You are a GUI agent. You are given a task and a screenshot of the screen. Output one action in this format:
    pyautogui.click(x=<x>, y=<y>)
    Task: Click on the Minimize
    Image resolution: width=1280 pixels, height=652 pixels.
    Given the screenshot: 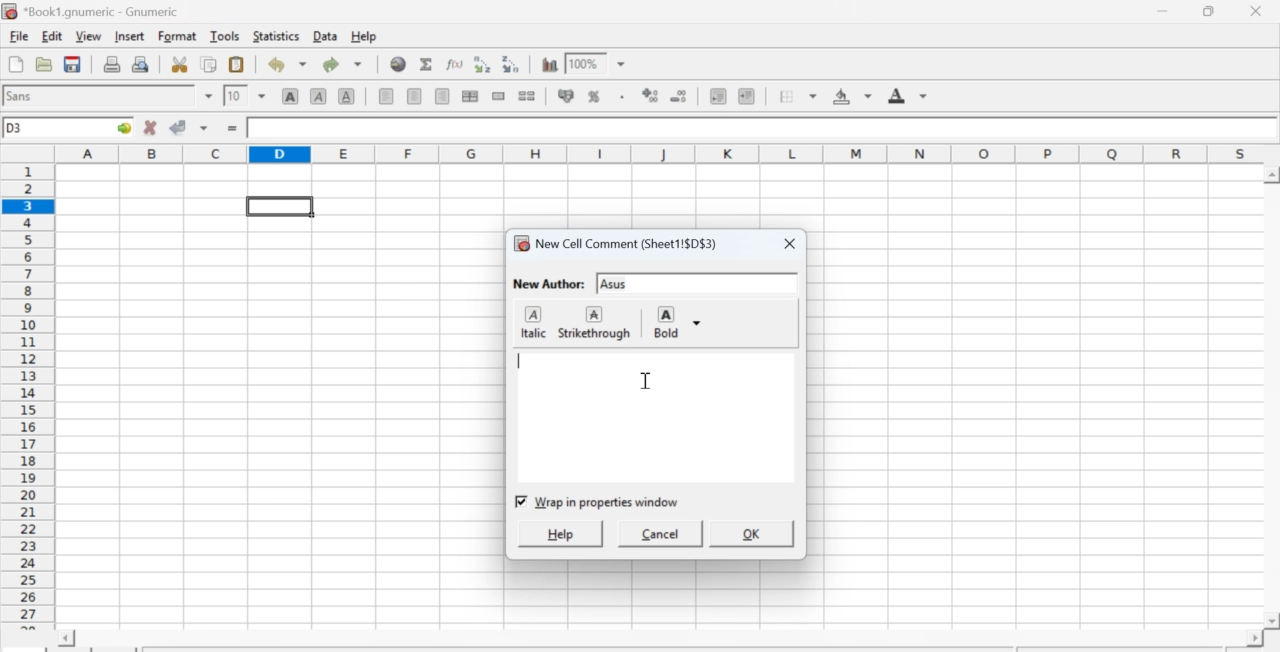 What is the action you would take?
    pyautogui.click(x=1162, y=12)
    